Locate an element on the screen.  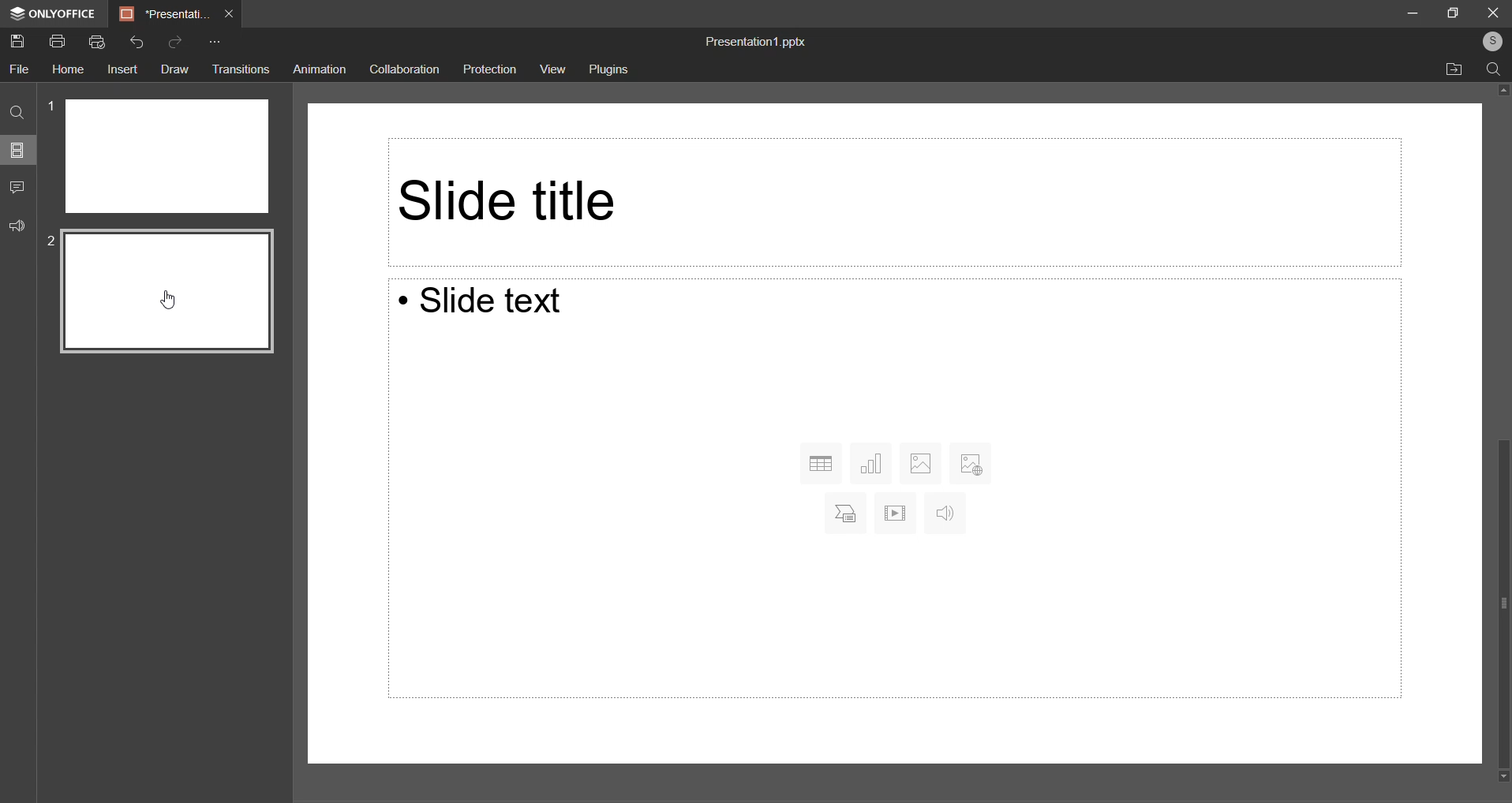
Move up is located at coordinates (1499, 92).